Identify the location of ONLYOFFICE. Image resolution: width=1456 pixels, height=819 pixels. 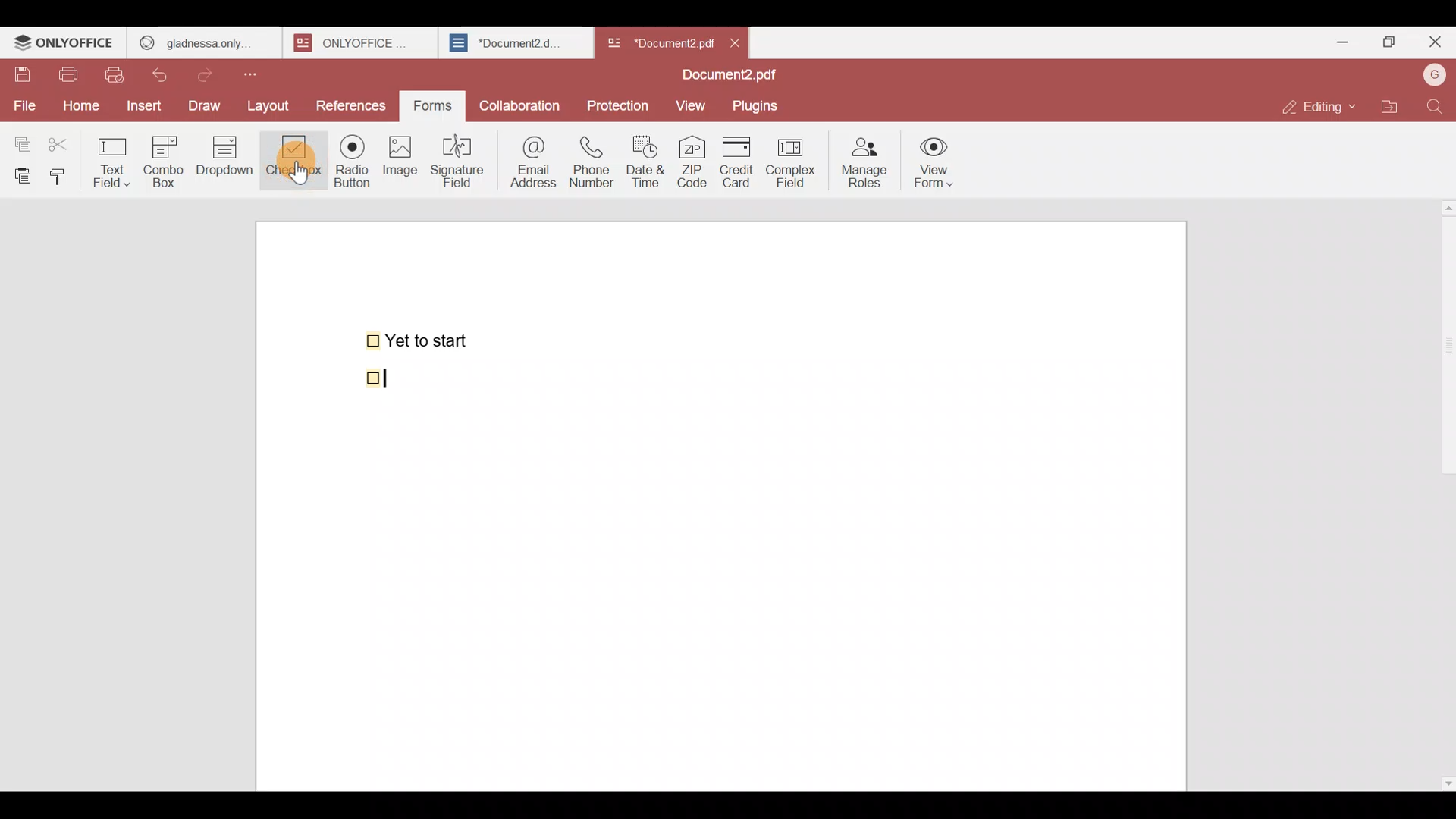
(64, 45).